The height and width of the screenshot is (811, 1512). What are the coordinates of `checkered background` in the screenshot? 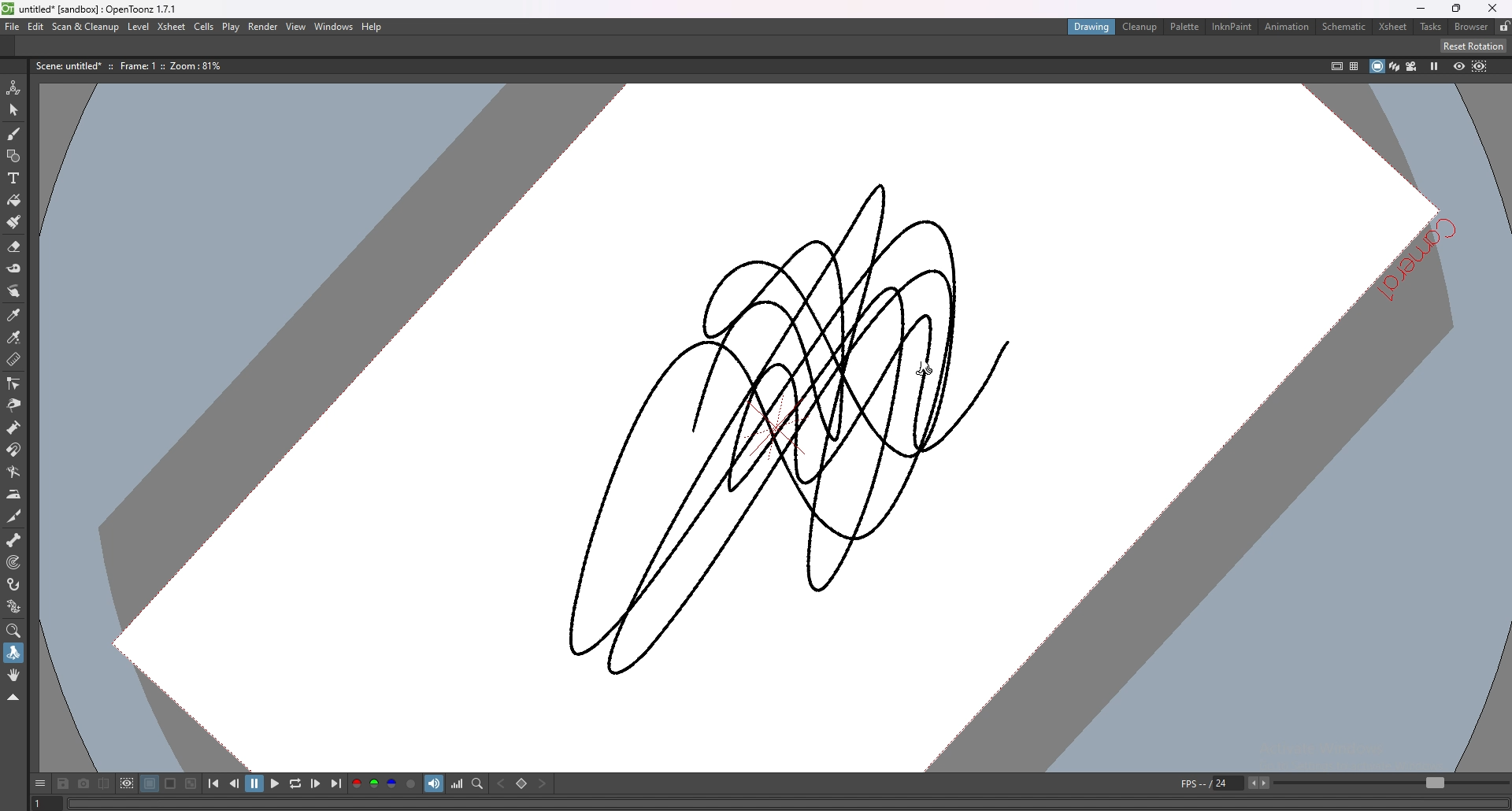 It's located at (191, 784).